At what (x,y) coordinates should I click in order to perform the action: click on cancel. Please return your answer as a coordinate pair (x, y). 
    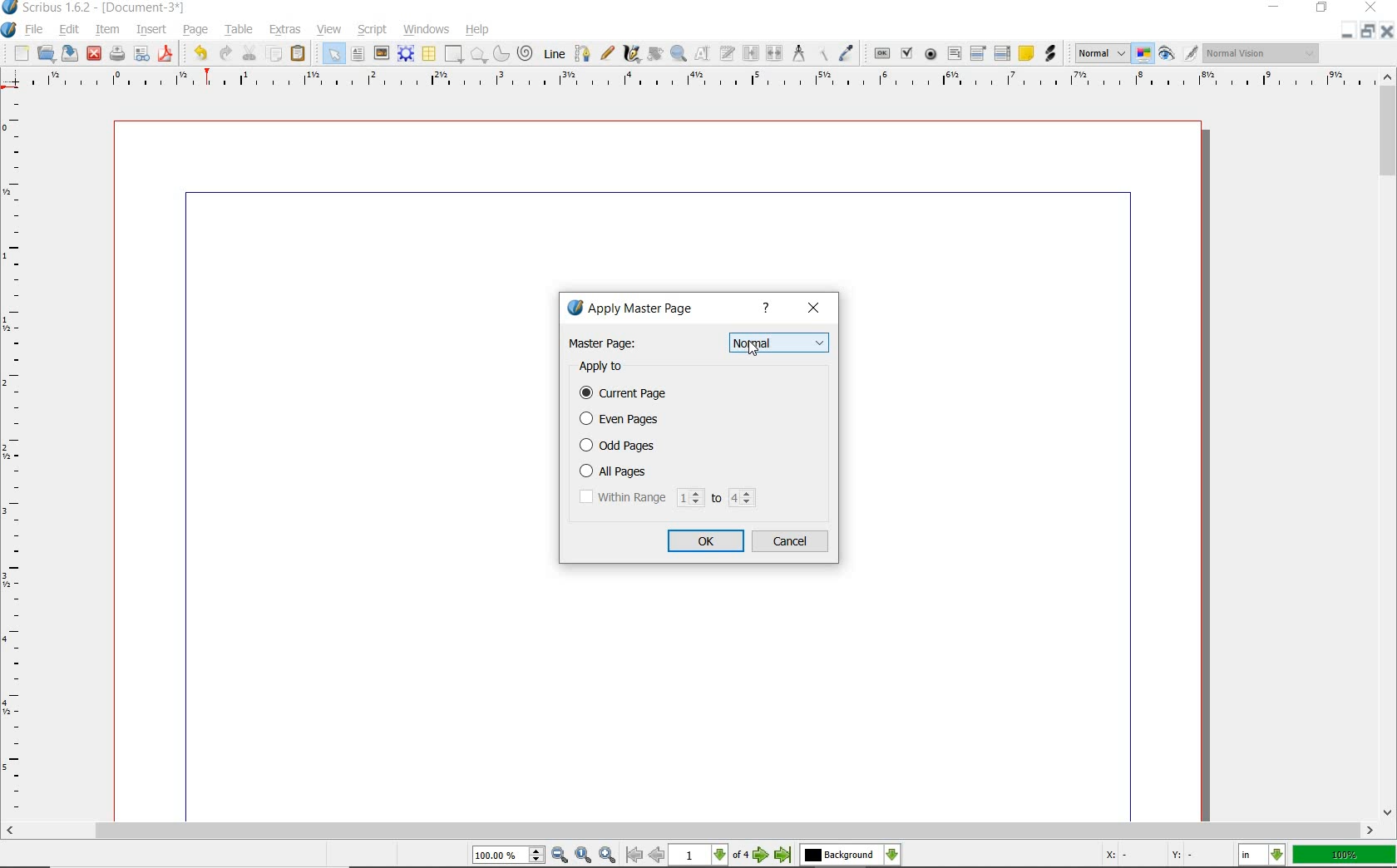
    Looking at the image, I should click on (792, 542).